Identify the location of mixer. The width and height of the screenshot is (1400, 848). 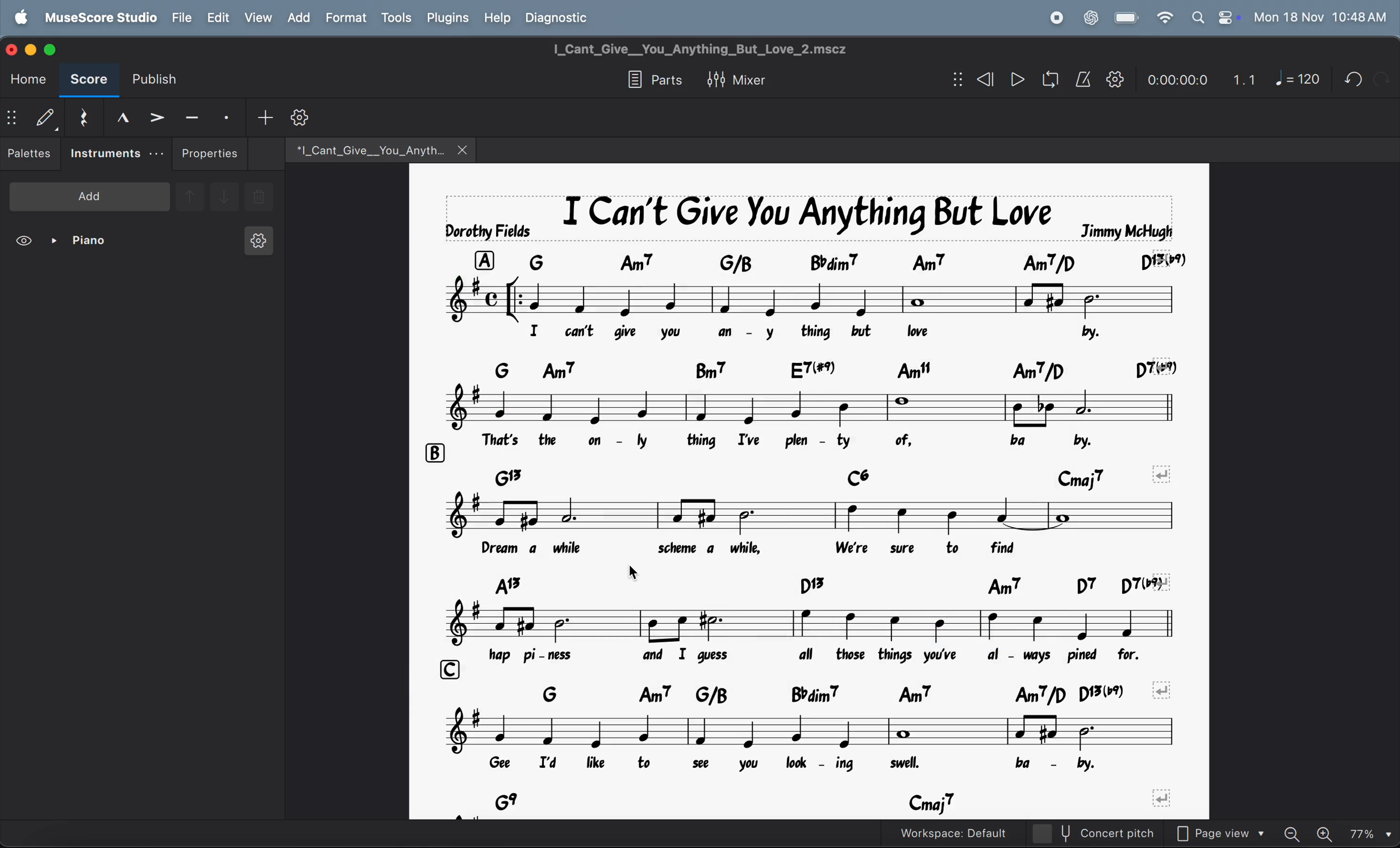
(745, 78).